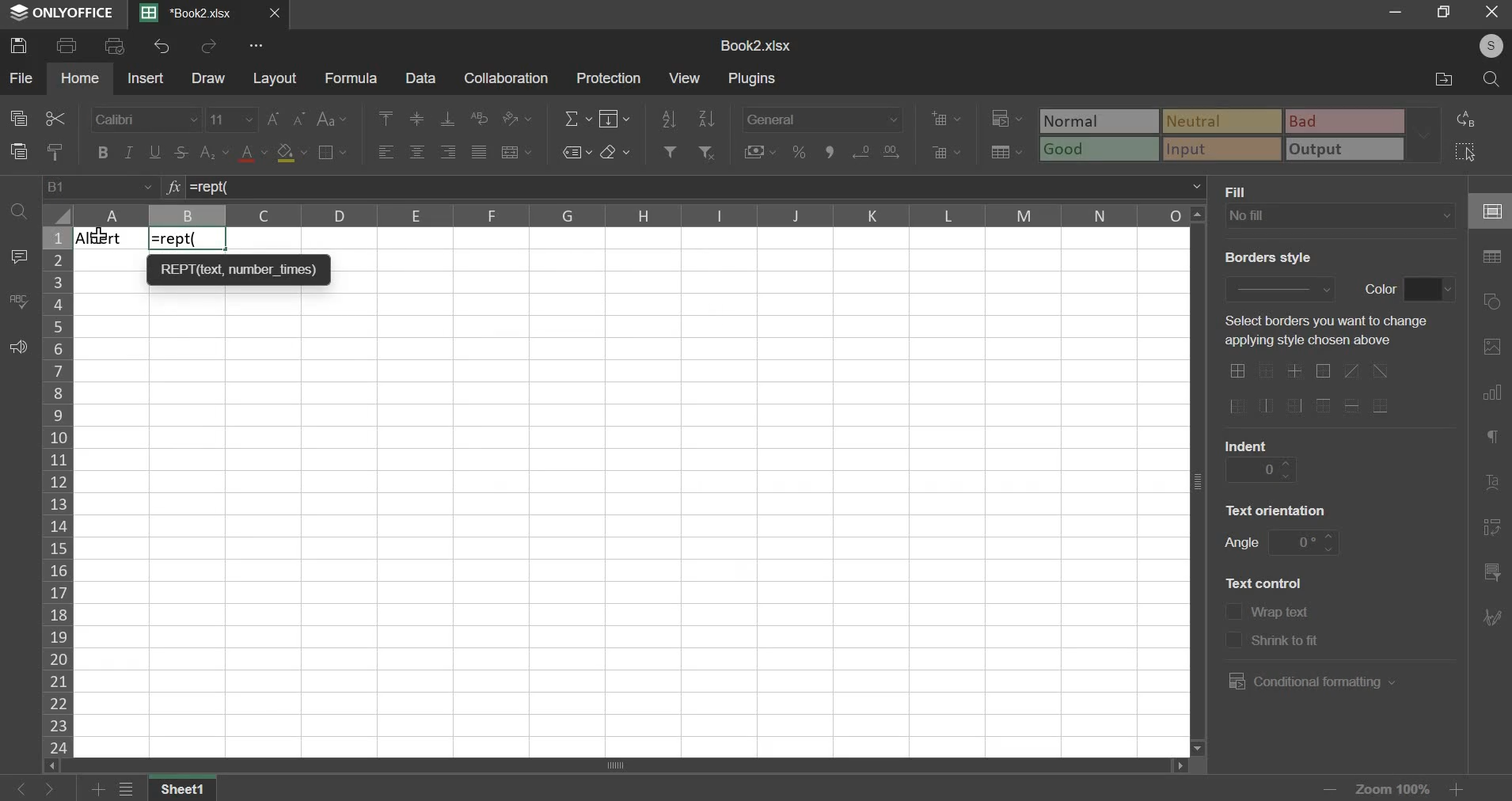 The width and height of the screenshot is (1512, 801). Describe the element at coordinates (479, 152) in the screenshot. I see `justified` at that location.